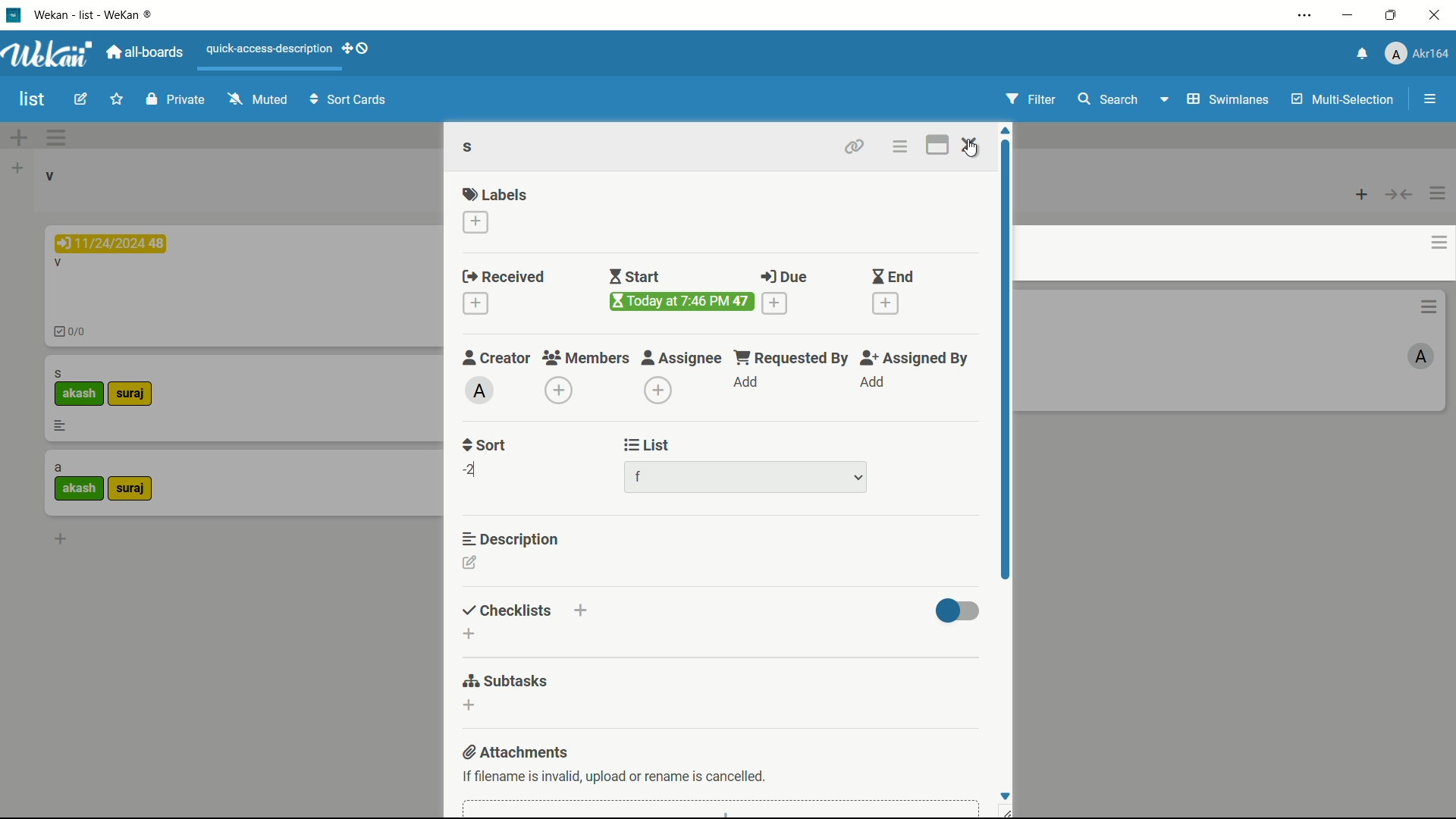 This screenshot has height=819, width=1456. Describe the element at coordinates (60, 425) in the screenshot. I see `description` at that location.